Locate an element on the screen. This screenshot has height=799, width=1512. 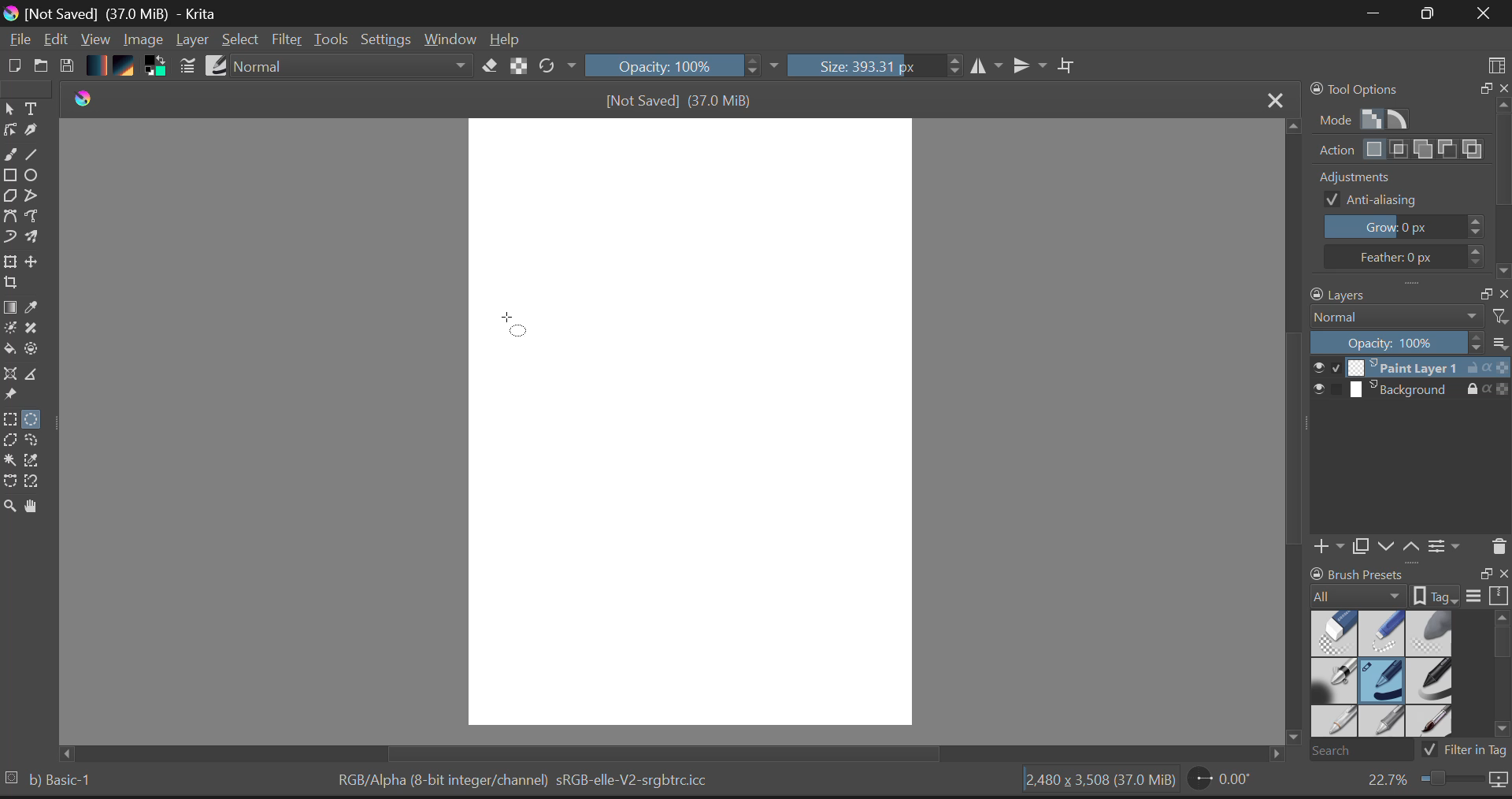
Blending Mode is located at coordinates (351, 68).